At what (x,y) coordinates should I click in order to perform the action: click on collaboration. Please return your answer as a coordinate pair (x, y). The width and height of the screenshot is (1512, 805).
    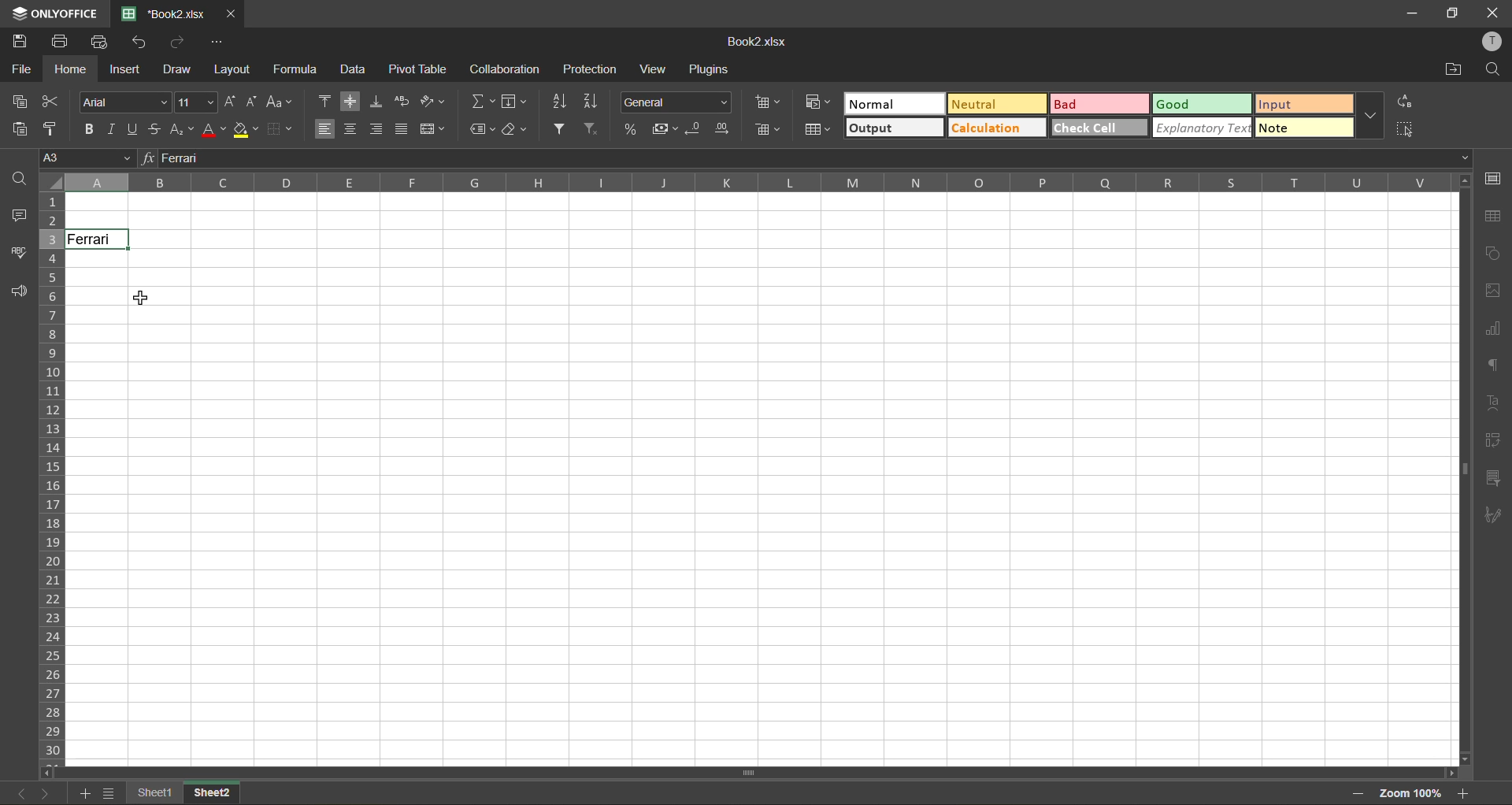
    Looking at the image, I should click on (506, 69).